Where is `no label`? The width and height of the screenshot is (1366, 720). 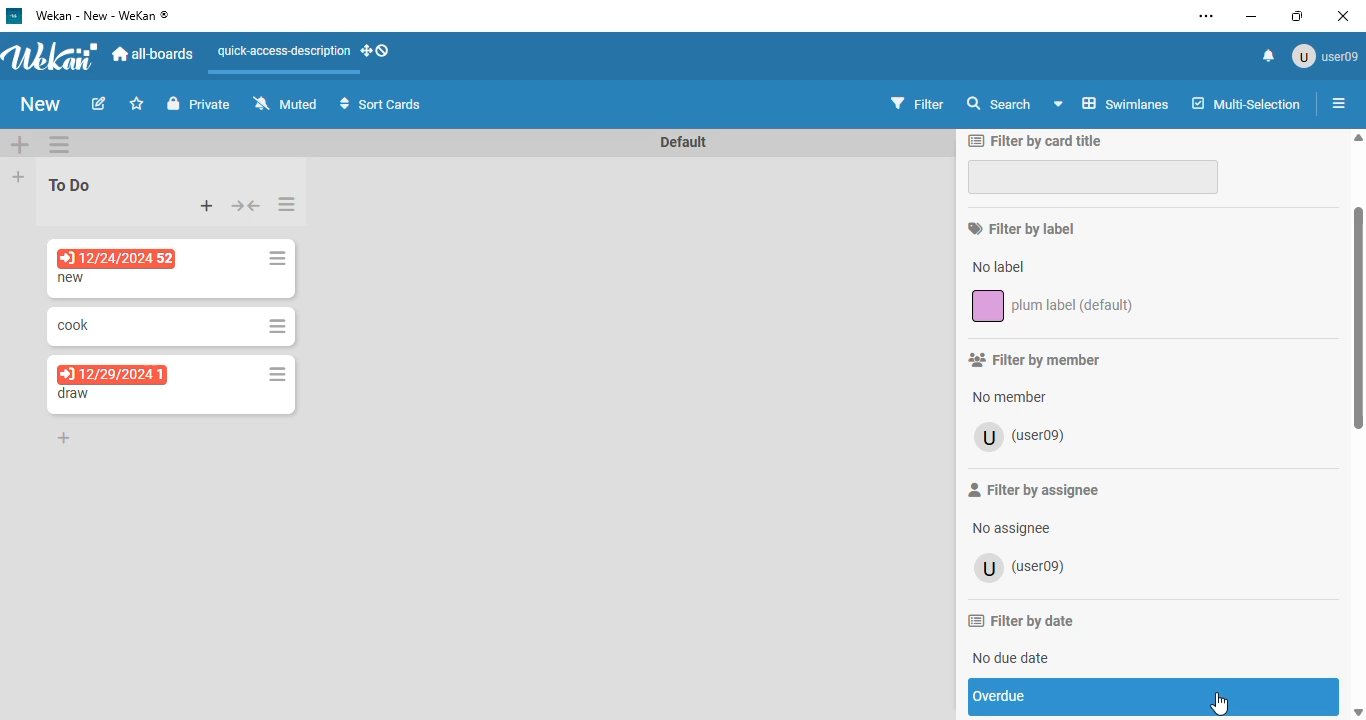
no label is located at coordinates (997, 266).